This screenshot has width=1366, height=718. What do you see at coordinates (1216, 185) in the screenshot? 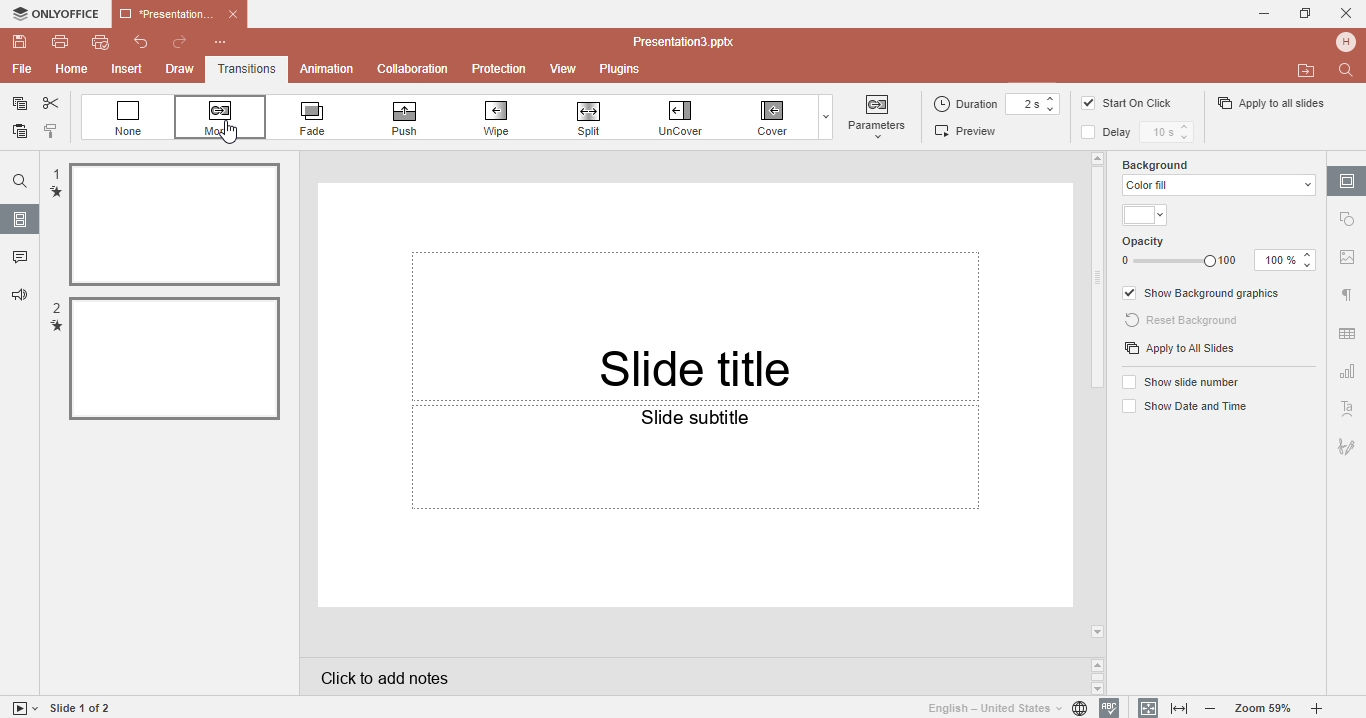
I see `color fill` at bounding box center [1216, 185].